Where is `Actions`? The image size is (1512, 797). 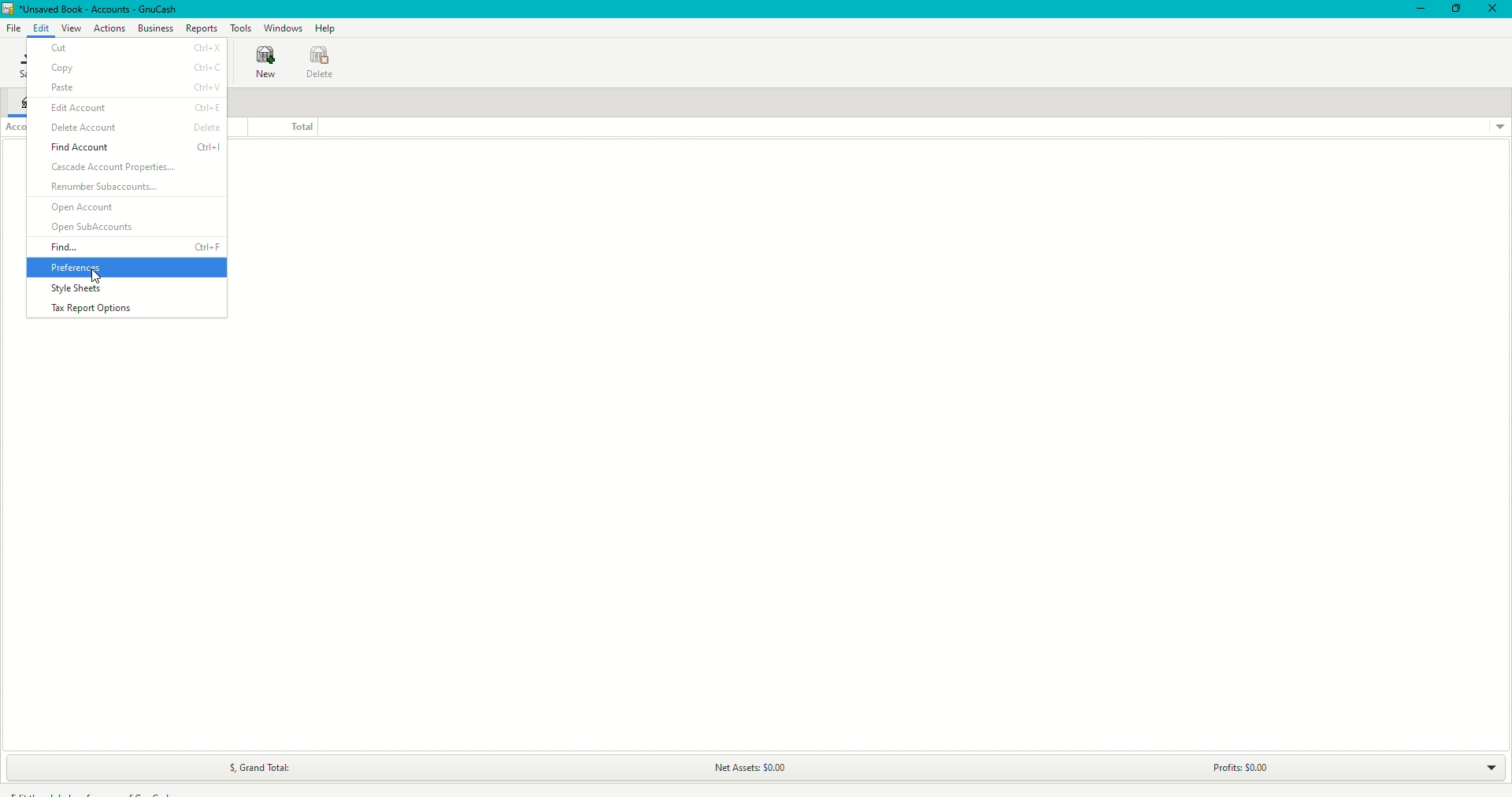 Actions is located at coordinates (110, 29).